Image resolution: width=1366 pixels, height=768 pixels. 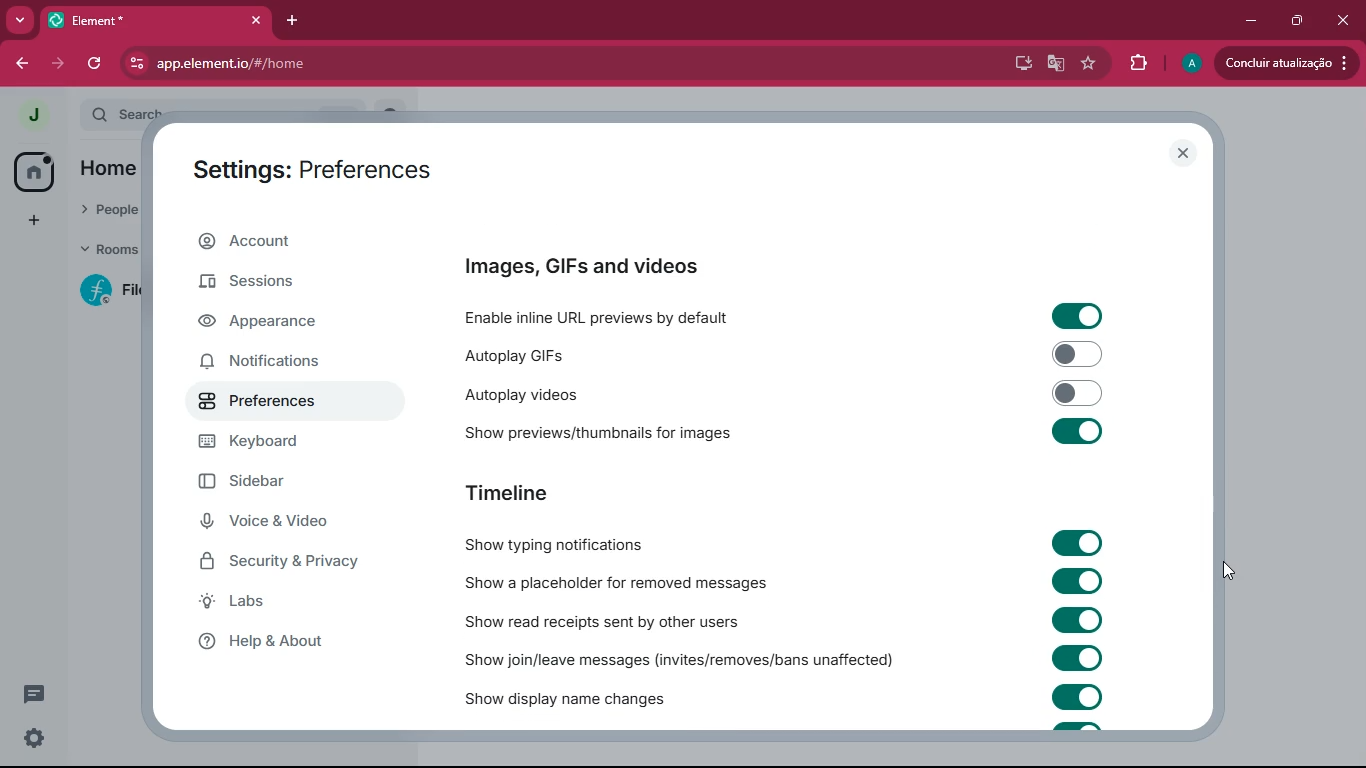 I want to click on tab, so click(x=128, y=20).